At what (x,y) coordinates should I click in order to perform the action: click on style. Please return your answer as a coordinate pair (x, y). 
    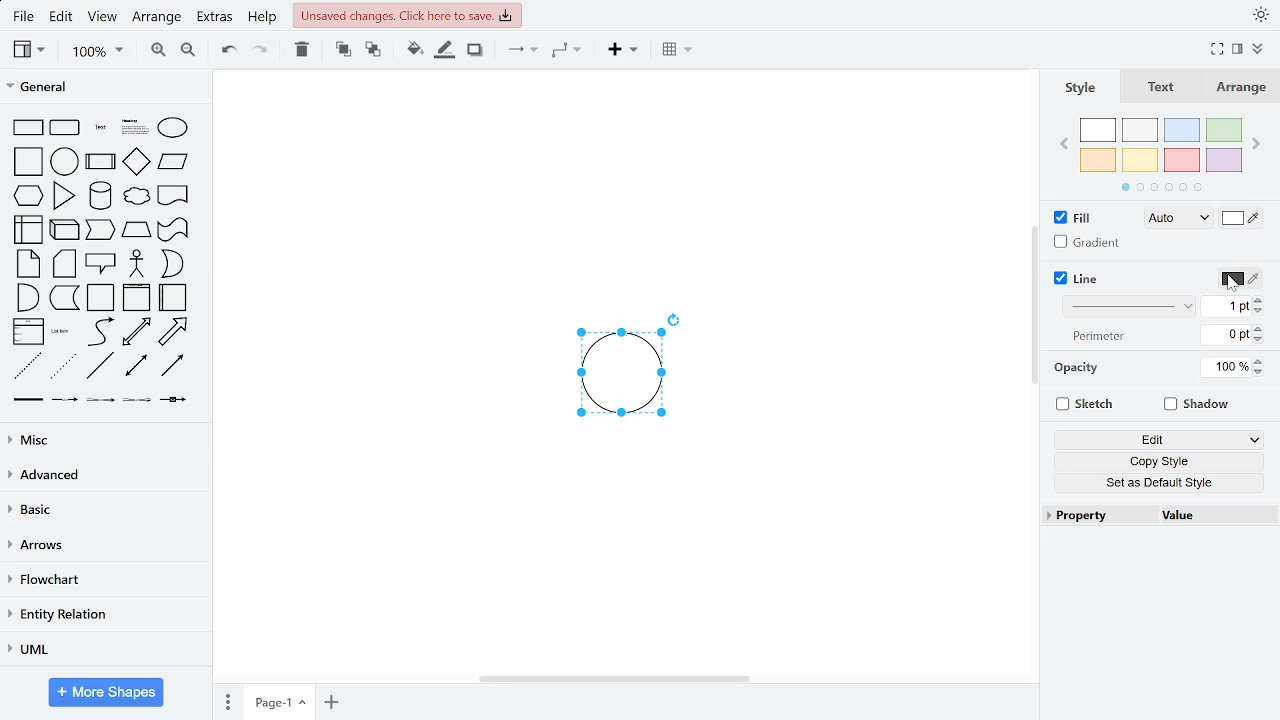
    Looking at the image, I should click on (1082, 88).